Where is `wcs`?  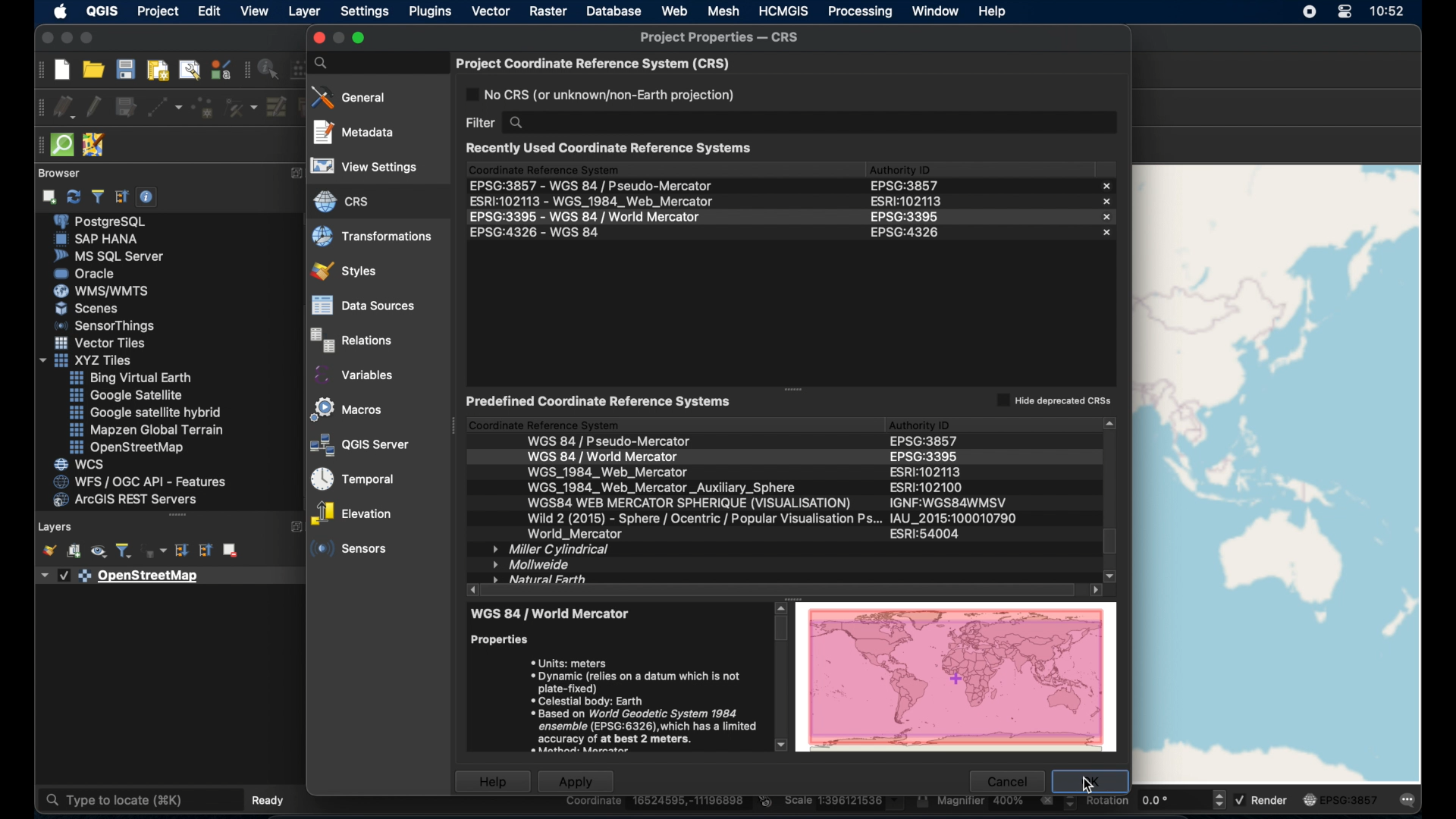 wcs is located at coordinates (81, 463).